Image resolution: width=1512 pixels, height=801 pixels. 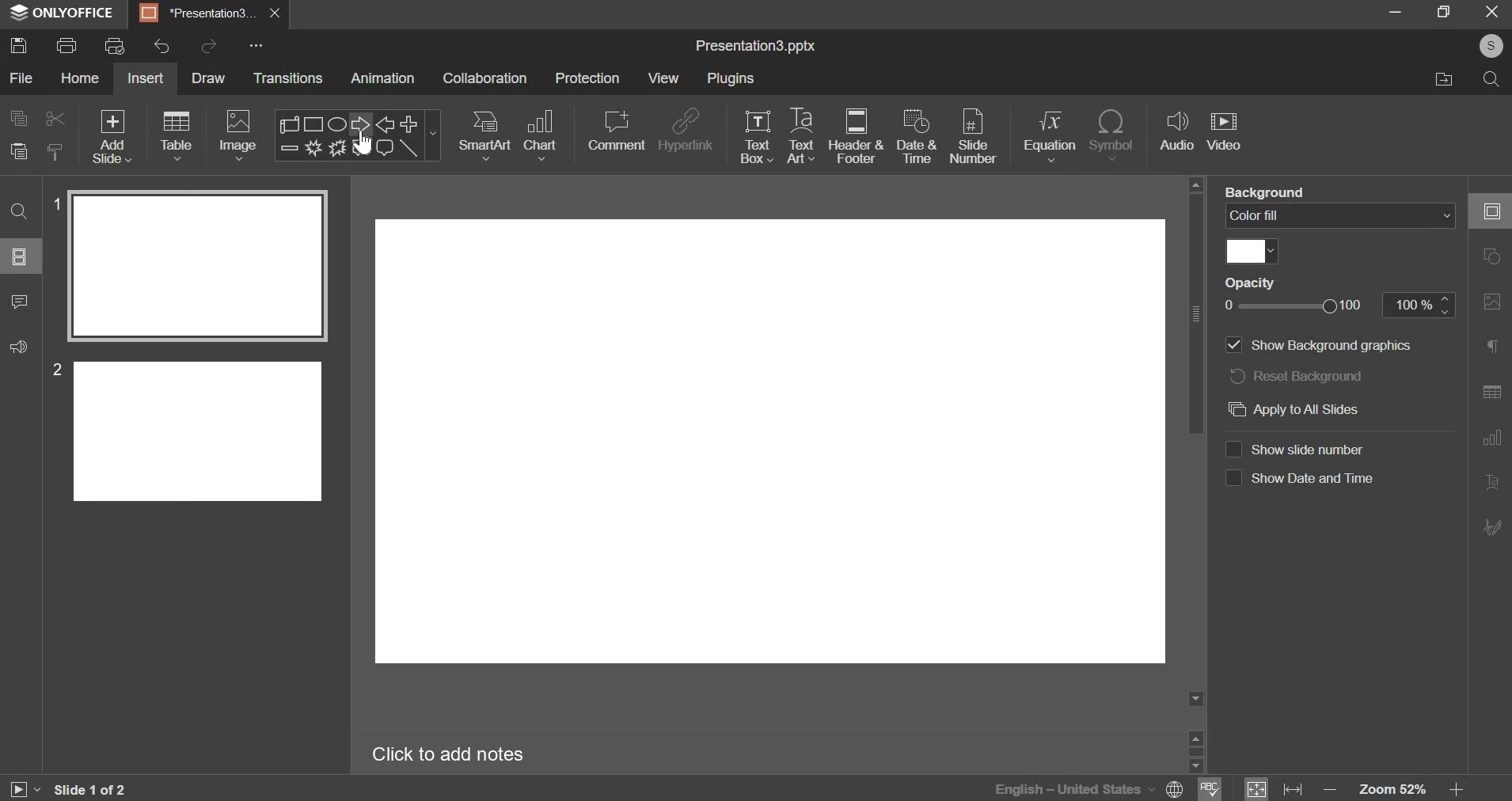 What do you see at coordinates (112, 136) in the screenshot?
I see `add slide` at bounding box center [112, 136].